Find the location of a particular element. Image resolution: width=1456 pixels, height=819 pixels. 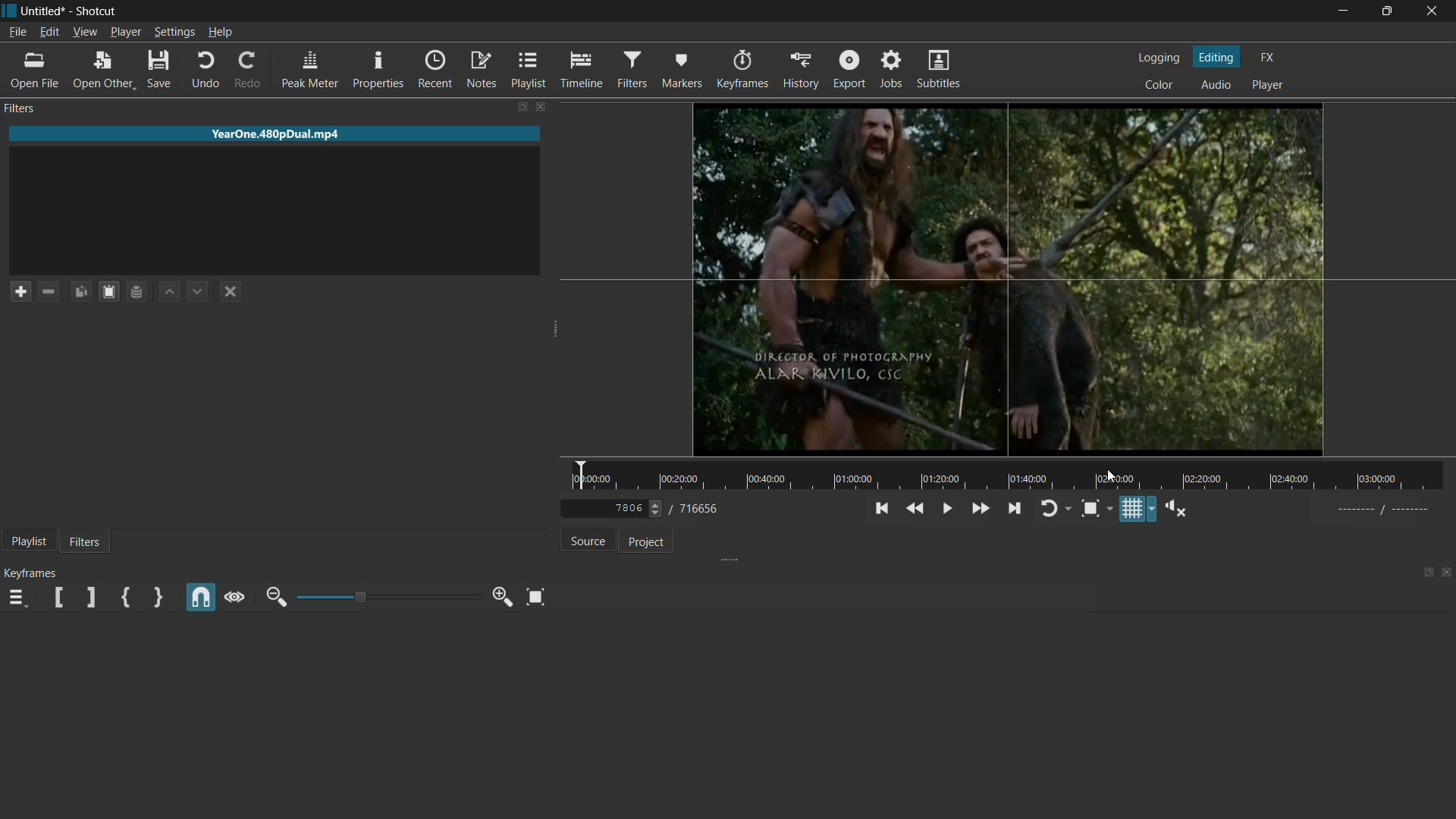

zoom timeline to fit is located at coordinates (536, 597).